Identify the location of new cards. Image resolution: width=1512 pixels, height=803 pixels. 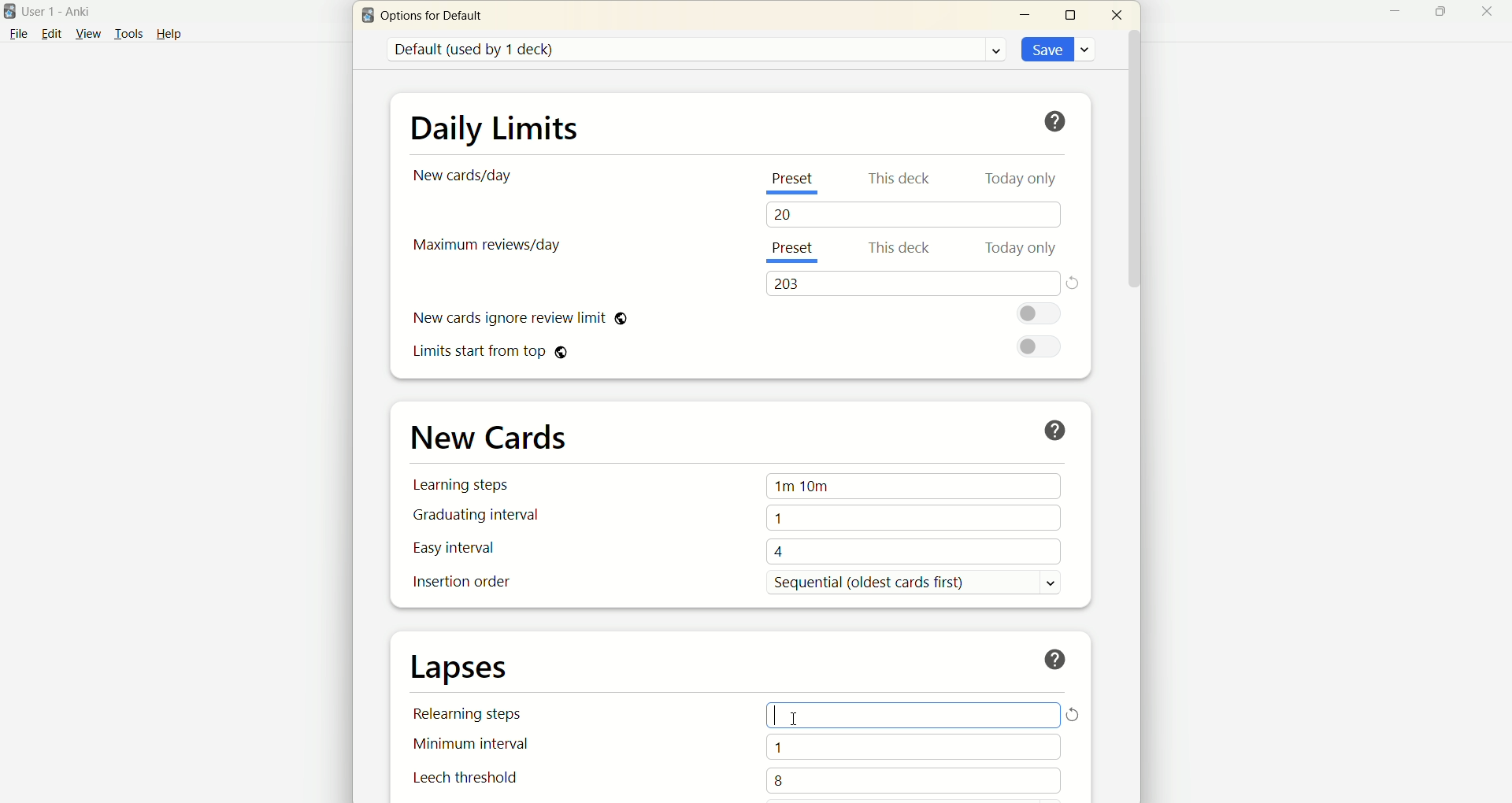
(490, 435).